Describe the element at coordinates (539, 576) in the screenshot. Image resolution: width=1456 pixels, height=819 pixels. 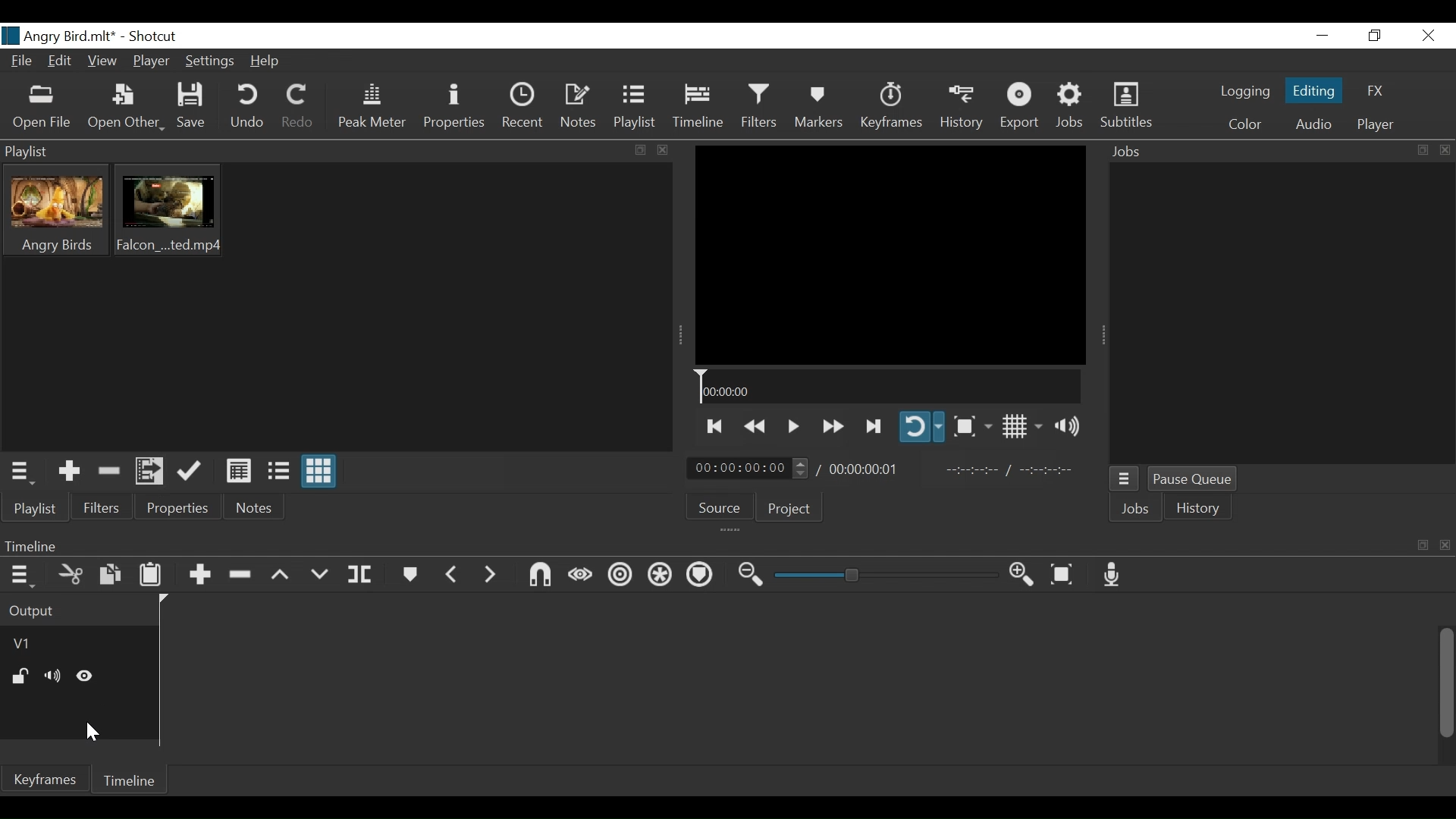
I see `Snap` at that location.